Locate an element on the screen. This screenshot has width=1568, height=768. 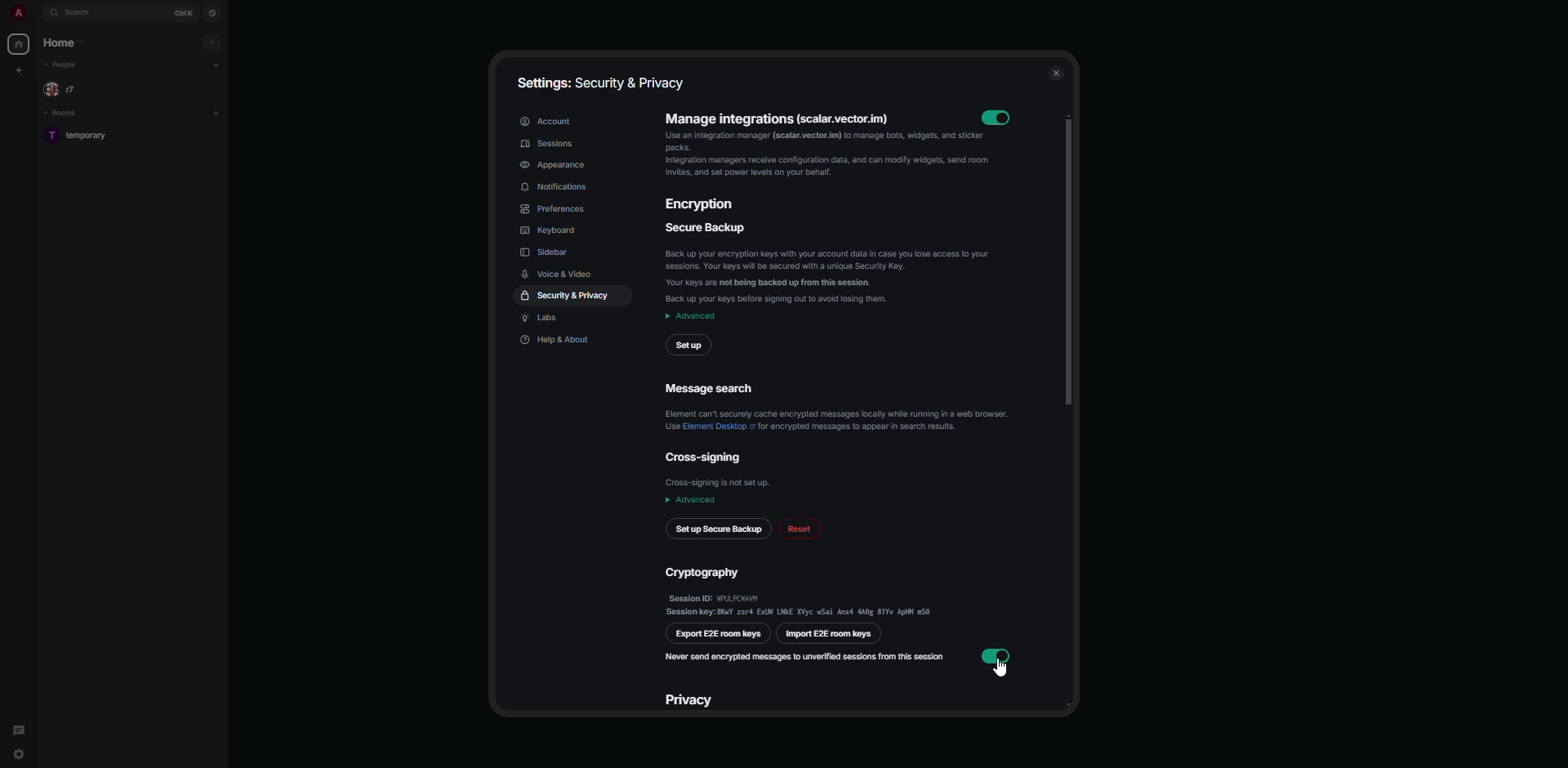
voice & video is located at coordinates (561, 274).